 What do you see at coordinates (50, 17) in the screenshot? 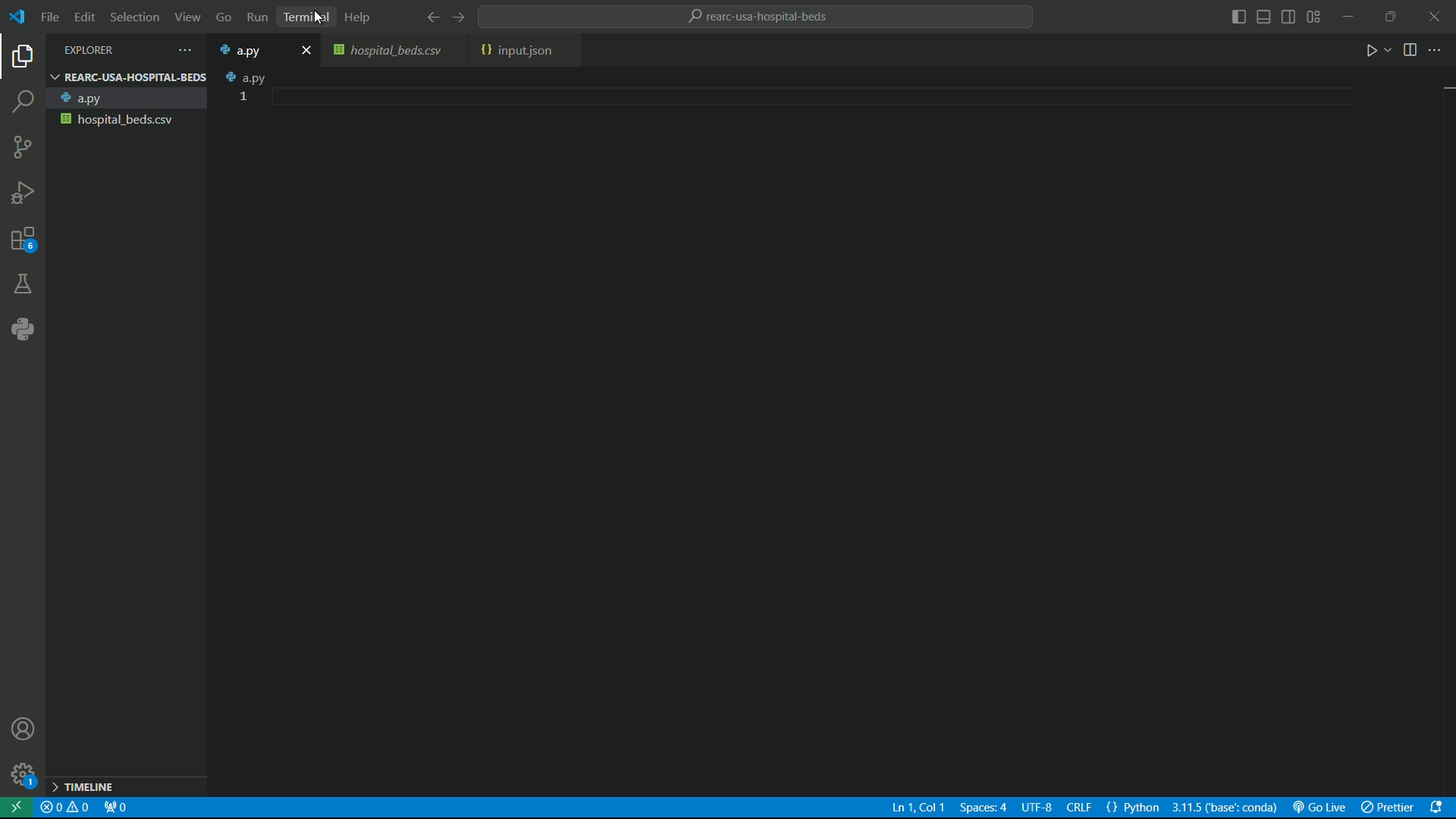
I see `file menu` at bounding box center [50, 17].